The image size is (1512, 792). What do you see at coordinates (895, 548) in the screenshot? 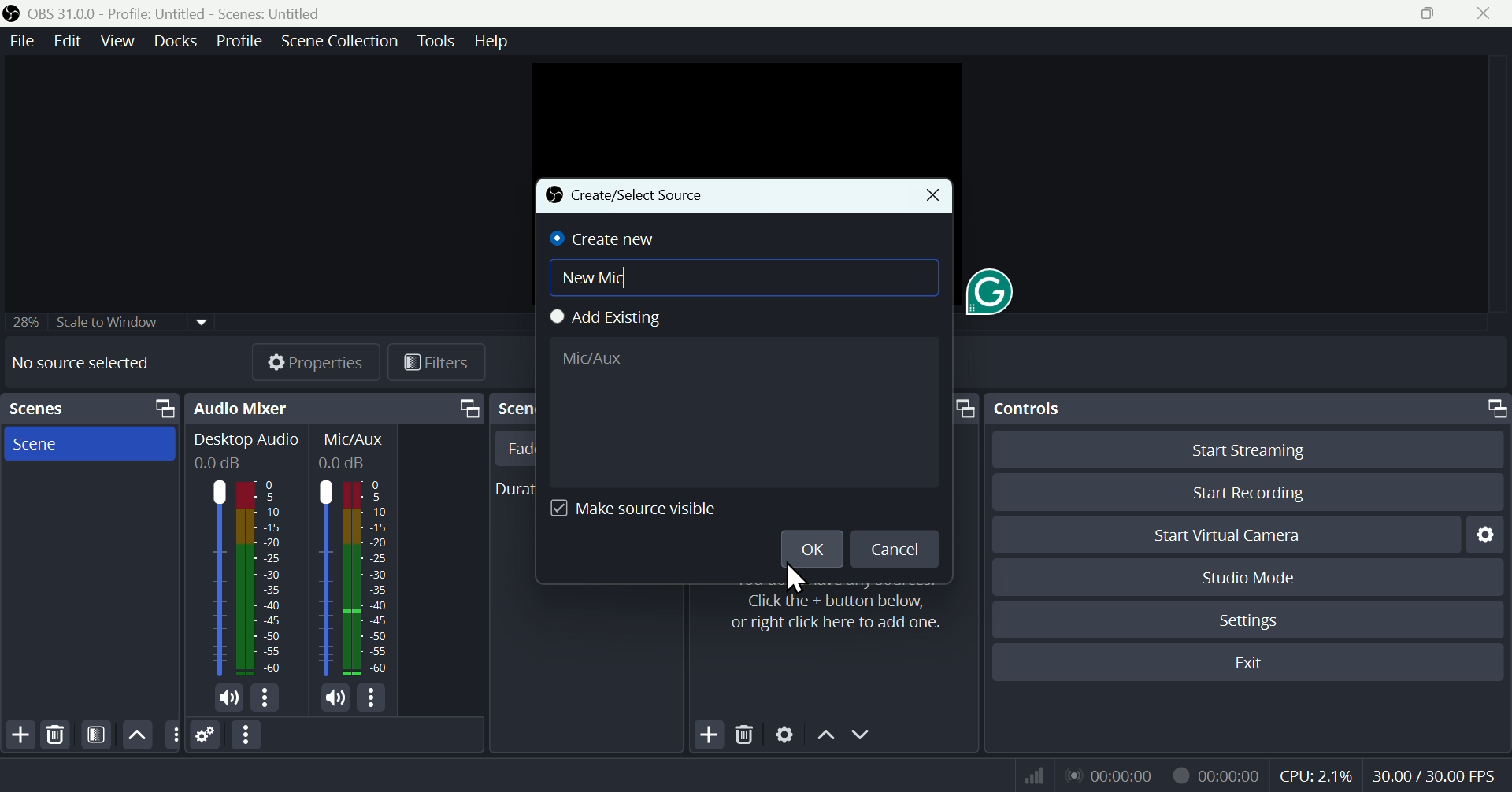
I see `Cancel` at bounding box center [895, 548].